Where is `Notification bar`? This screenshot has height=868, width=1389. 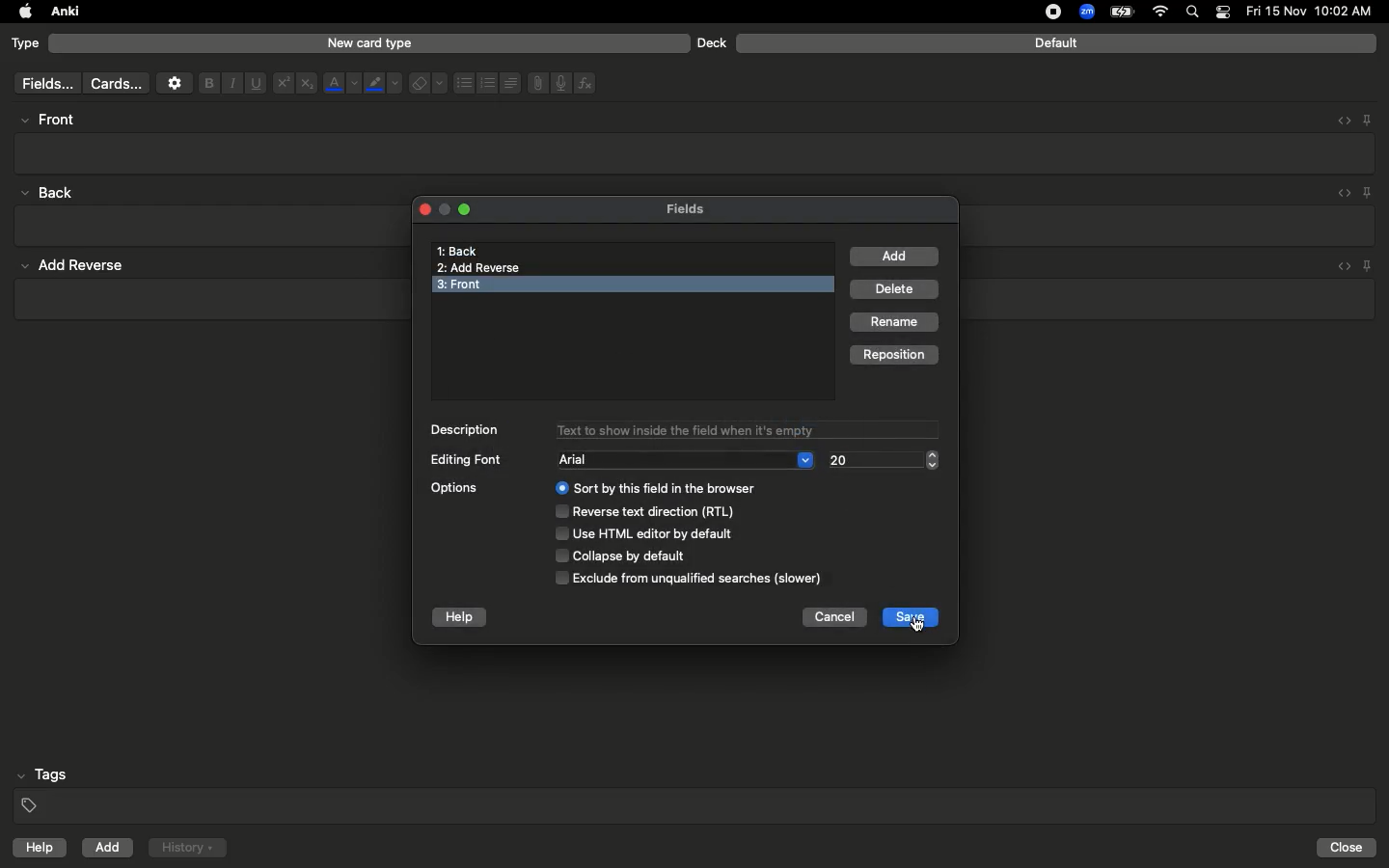
Notification bar is located at coordinates (1223, 13).